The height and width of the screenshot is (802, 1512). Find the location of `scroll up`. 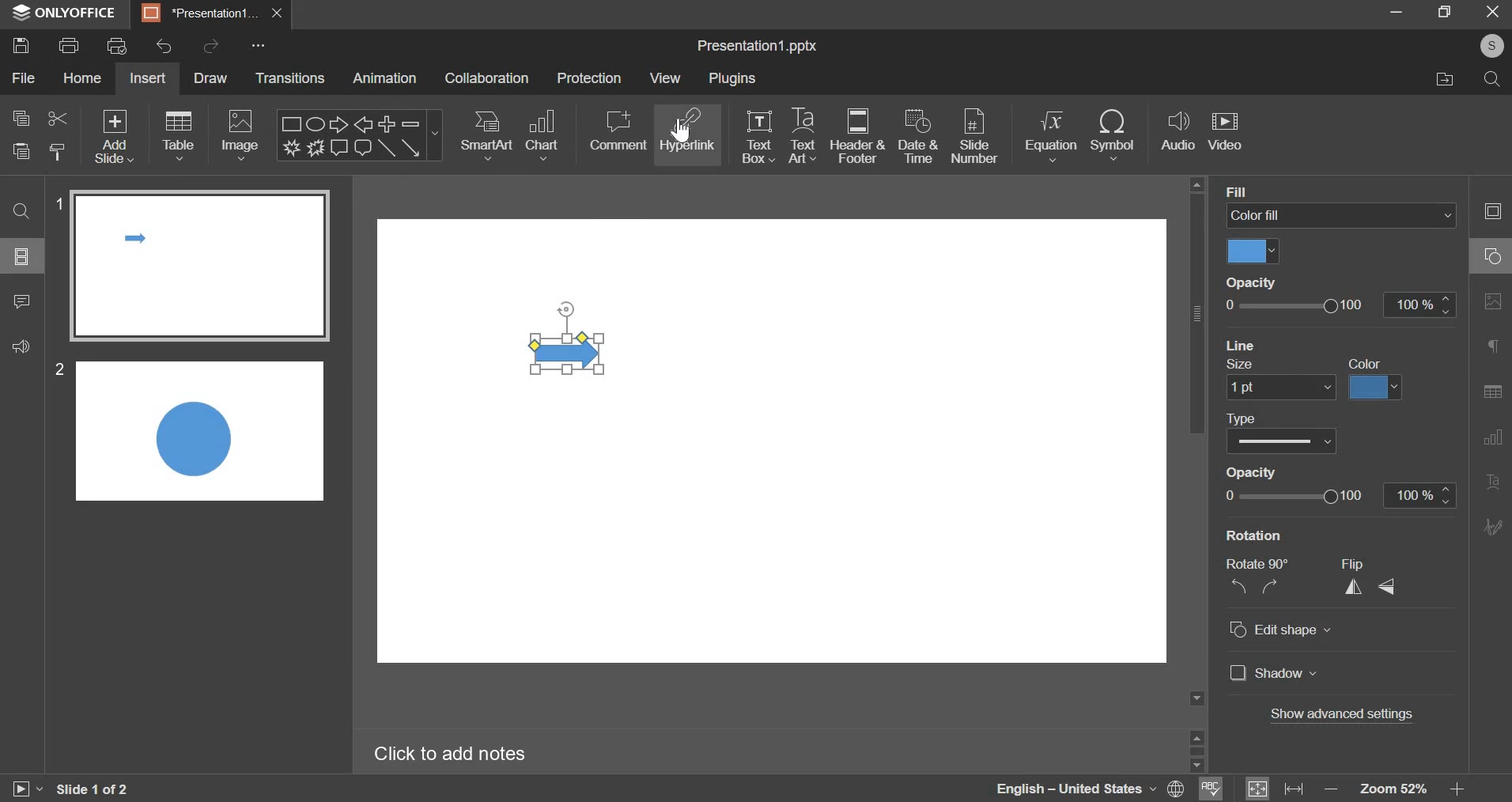

scroll up is located at coordinates (1197, 183).